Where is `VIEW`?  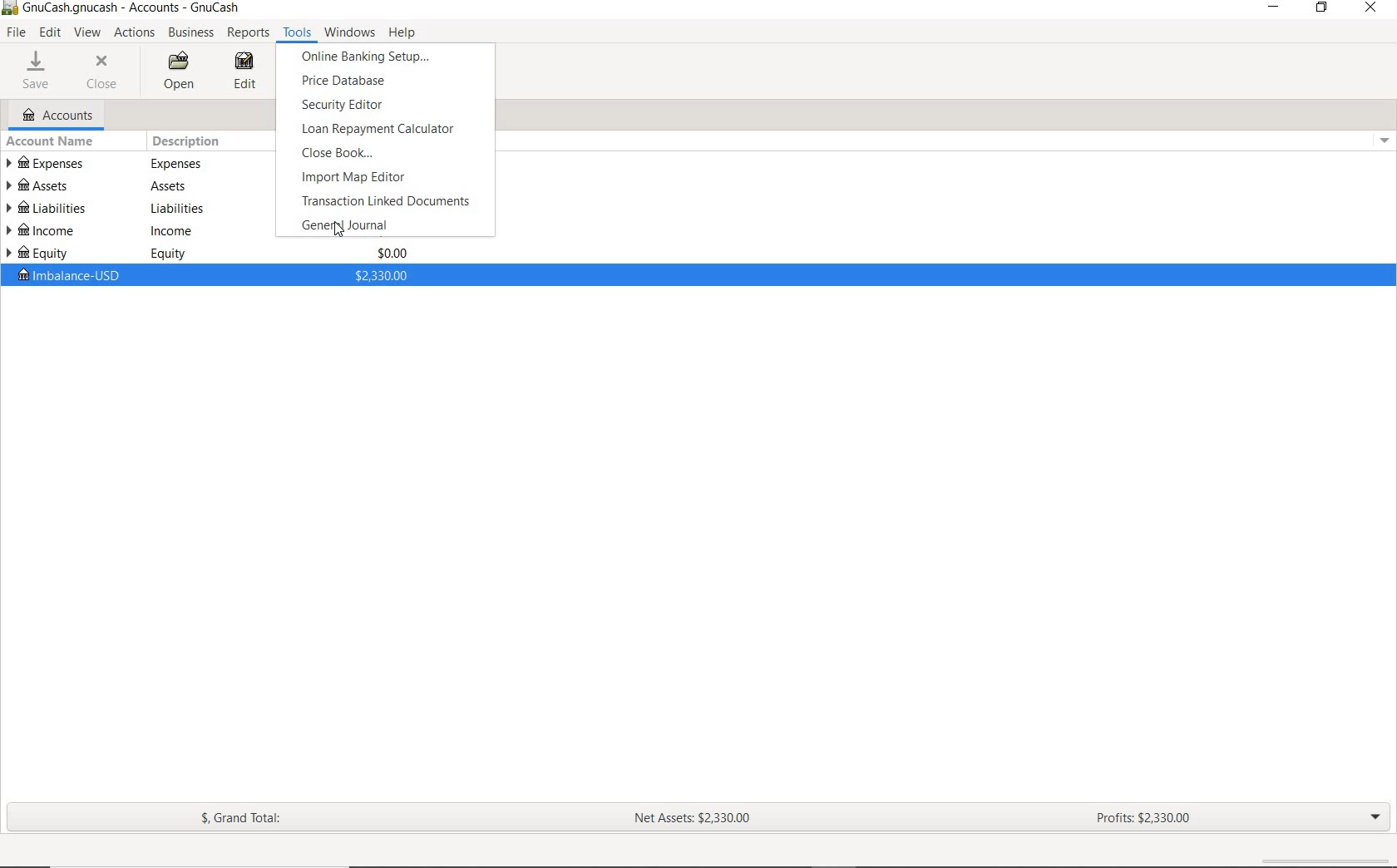 VIEW is located at coordinates (86, 33).